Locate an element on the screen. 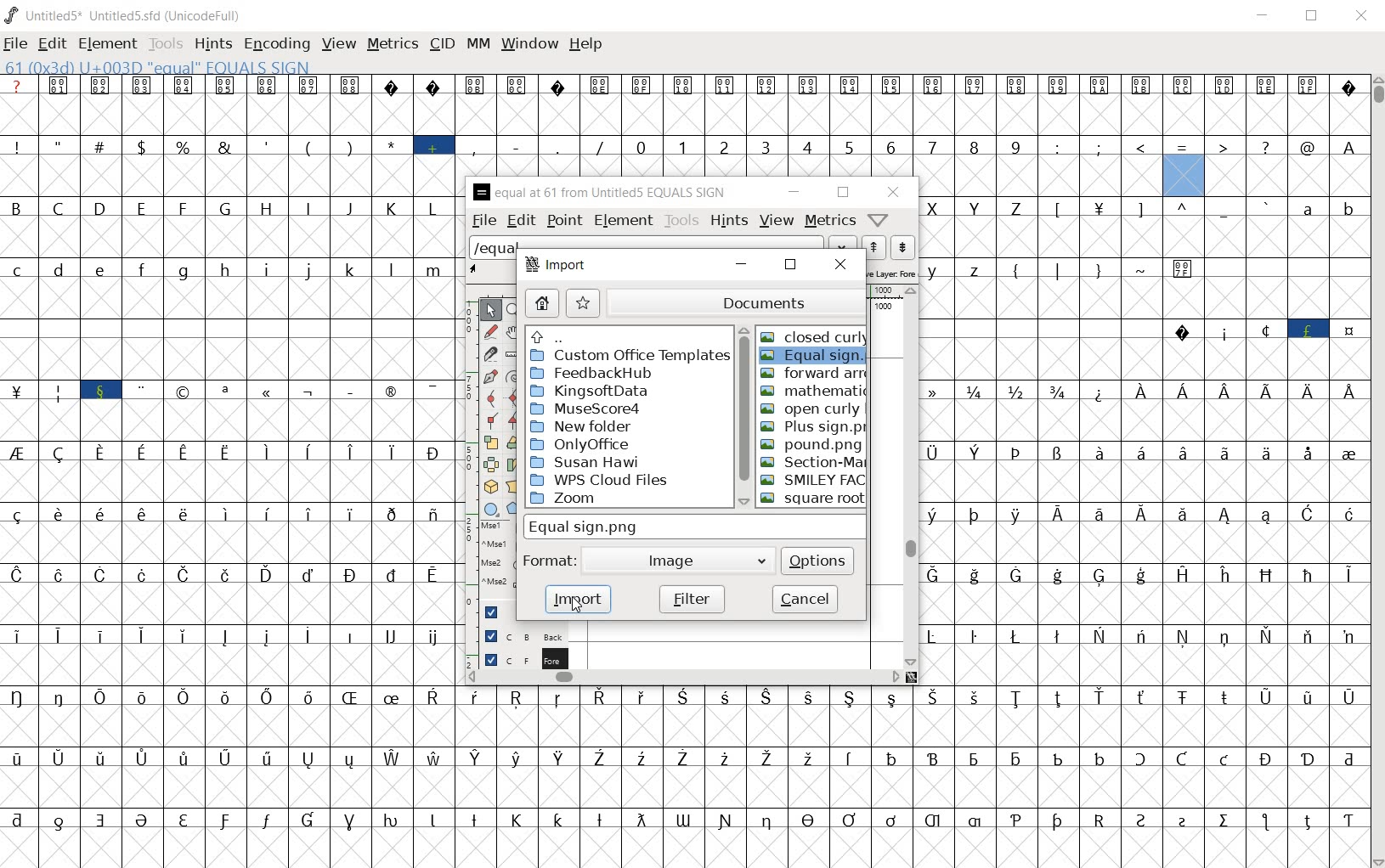 The height and width of the screenshot is (868, 1385). edit is located at coordinates (52, 43).